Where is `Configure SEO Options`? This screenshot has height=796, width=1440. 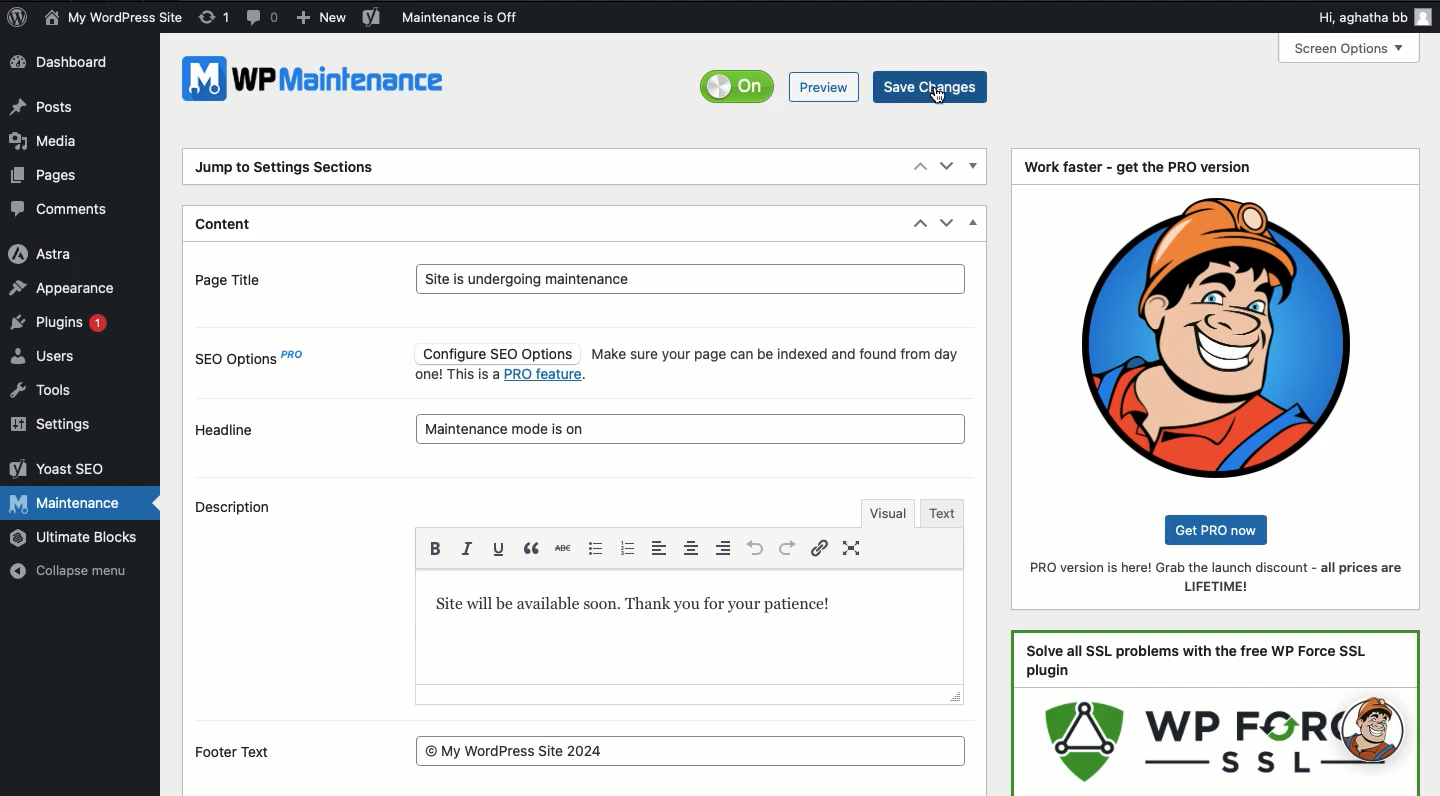 Configure SEO Options is located at coordinates (495, 353).